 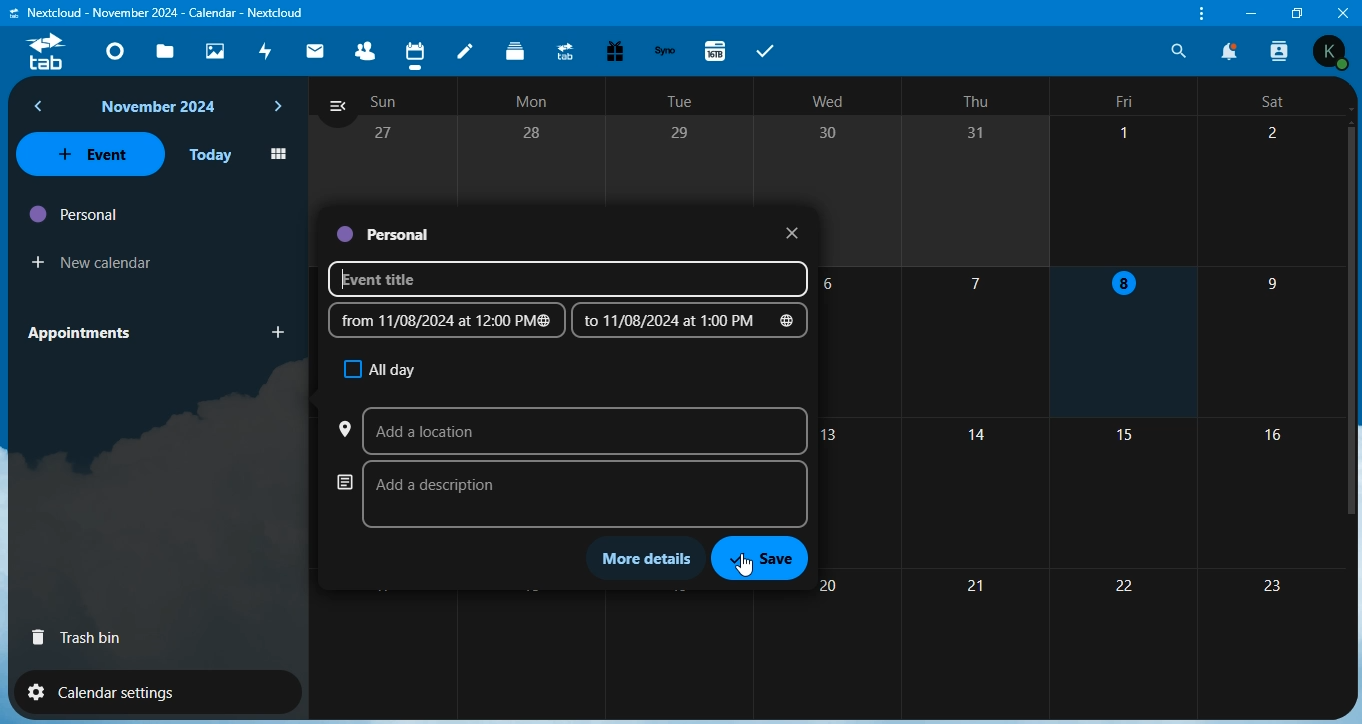 I want to click on minimize, so click(x=1254, y=15).